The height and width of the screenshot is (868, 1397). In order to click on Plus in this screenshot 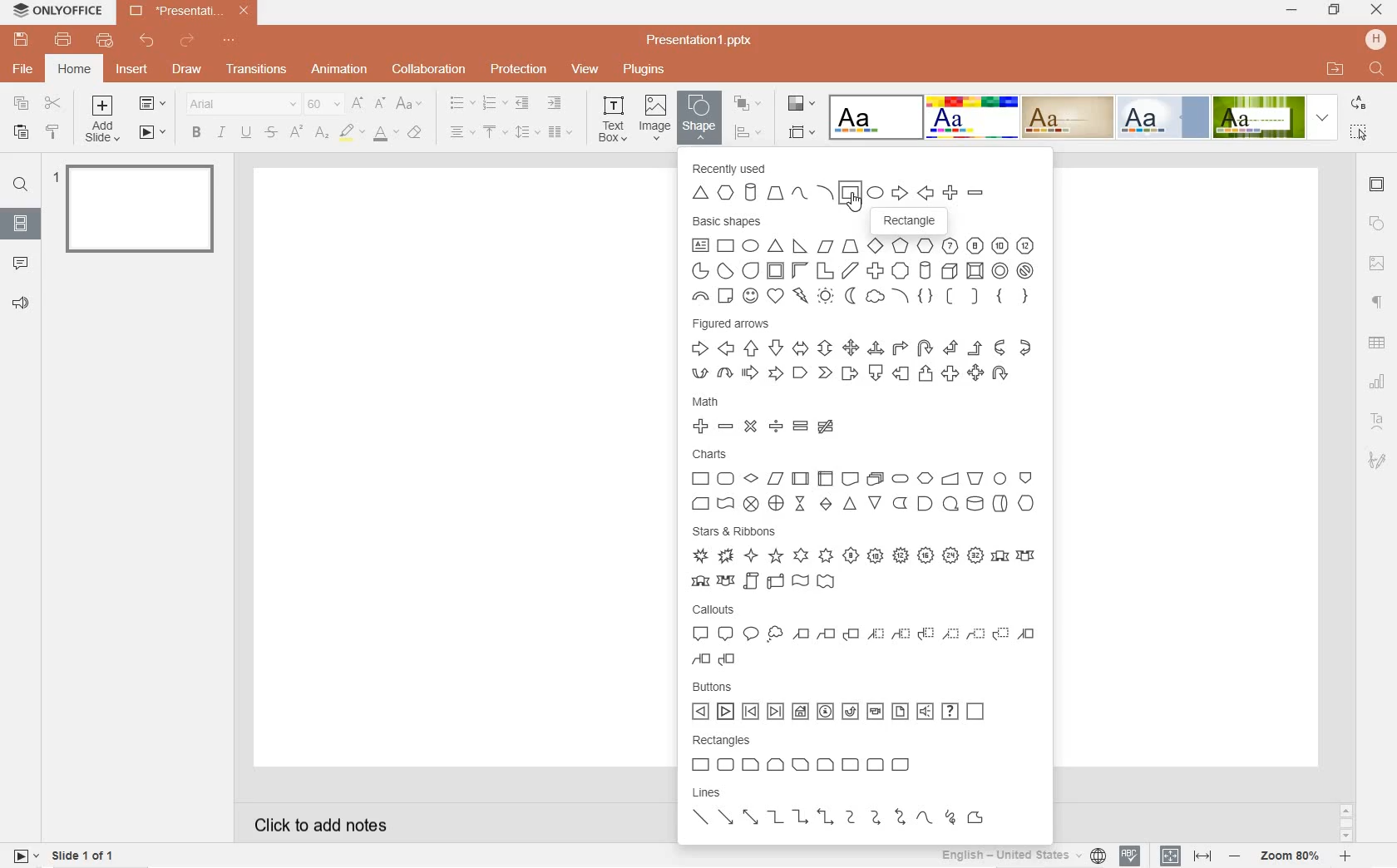, I will do `click(702, 428)`.